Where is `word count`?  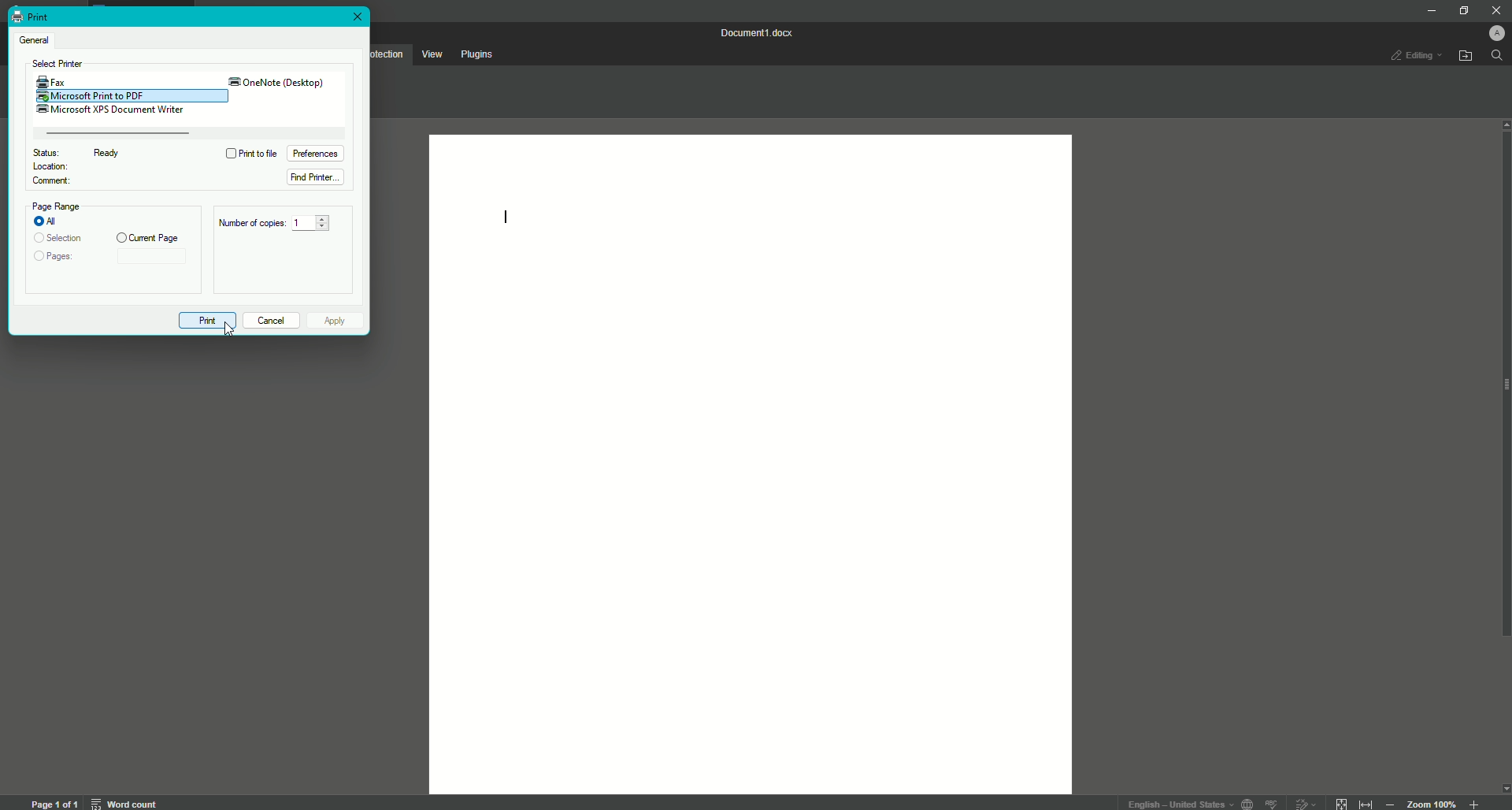 word count is located at coordinates (123, 803).